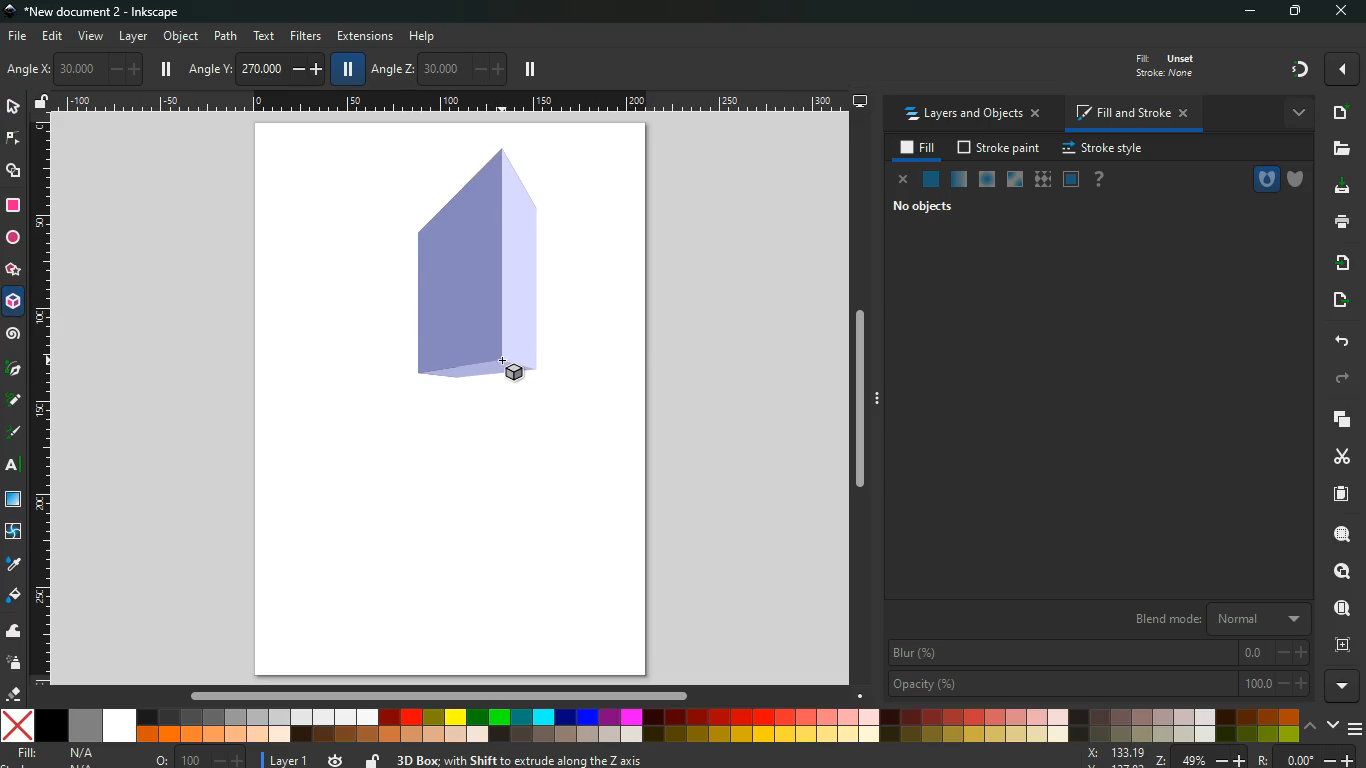 This screenshot has width=1366, height=768. I want to click on cut, so click(1342, 456).